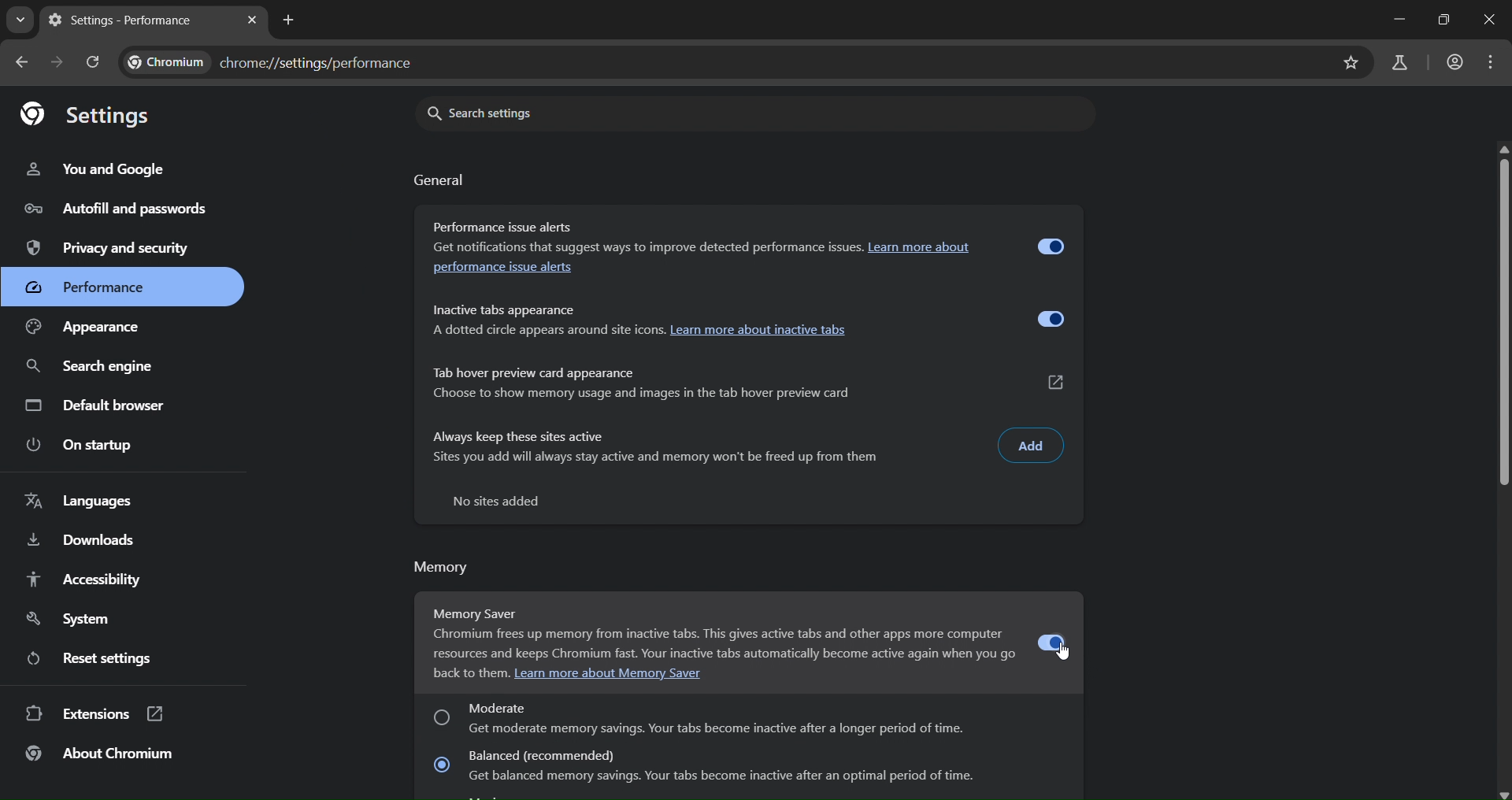 The width and height of the screenshot is (1512, 800). What do you see at coordinates (754, 114) in the screenshot?
I see `Search settings` at bounding box center [754, 114].